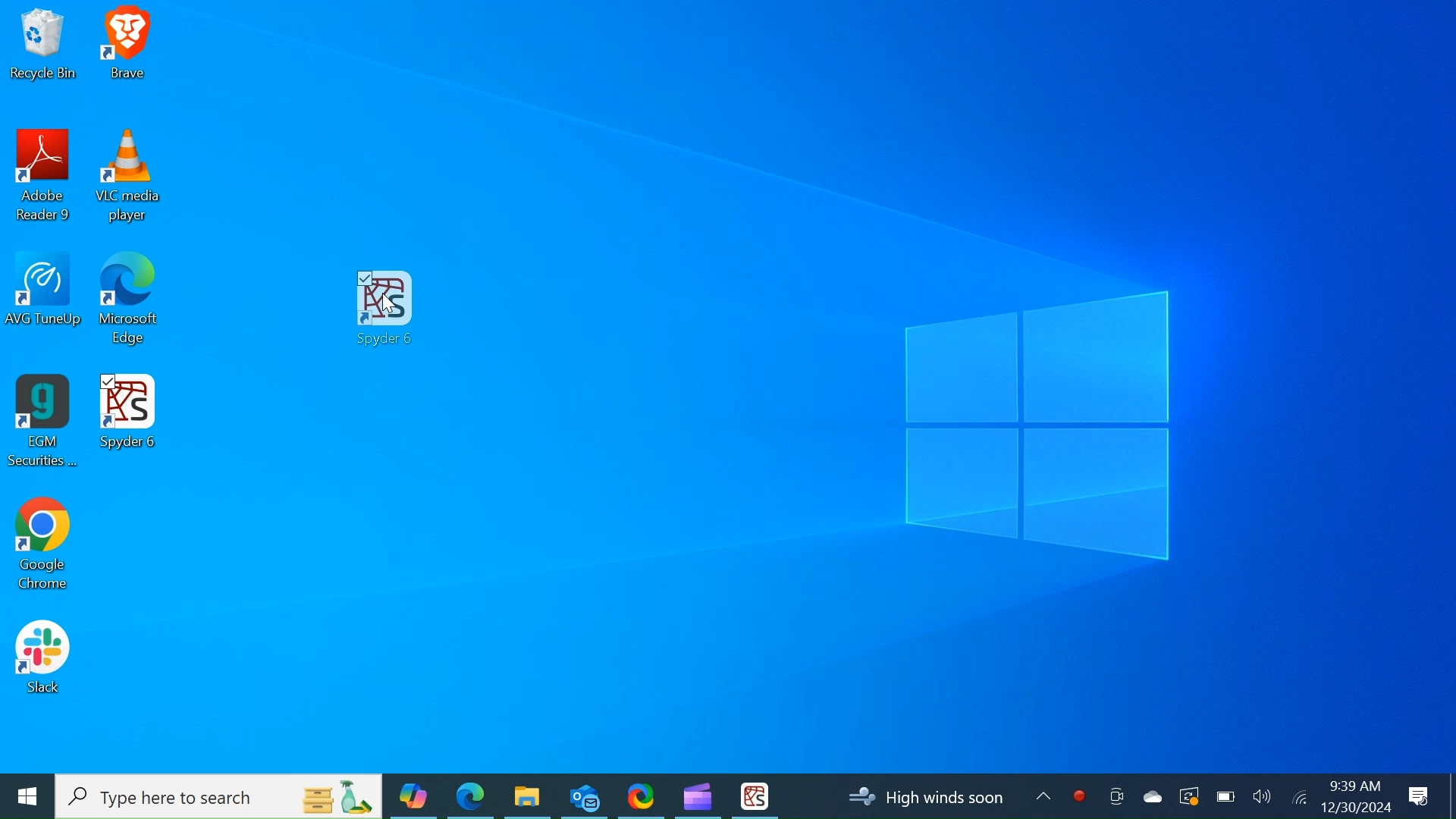  I want to click on Spyder Desktop Icon, so click(384, 310).